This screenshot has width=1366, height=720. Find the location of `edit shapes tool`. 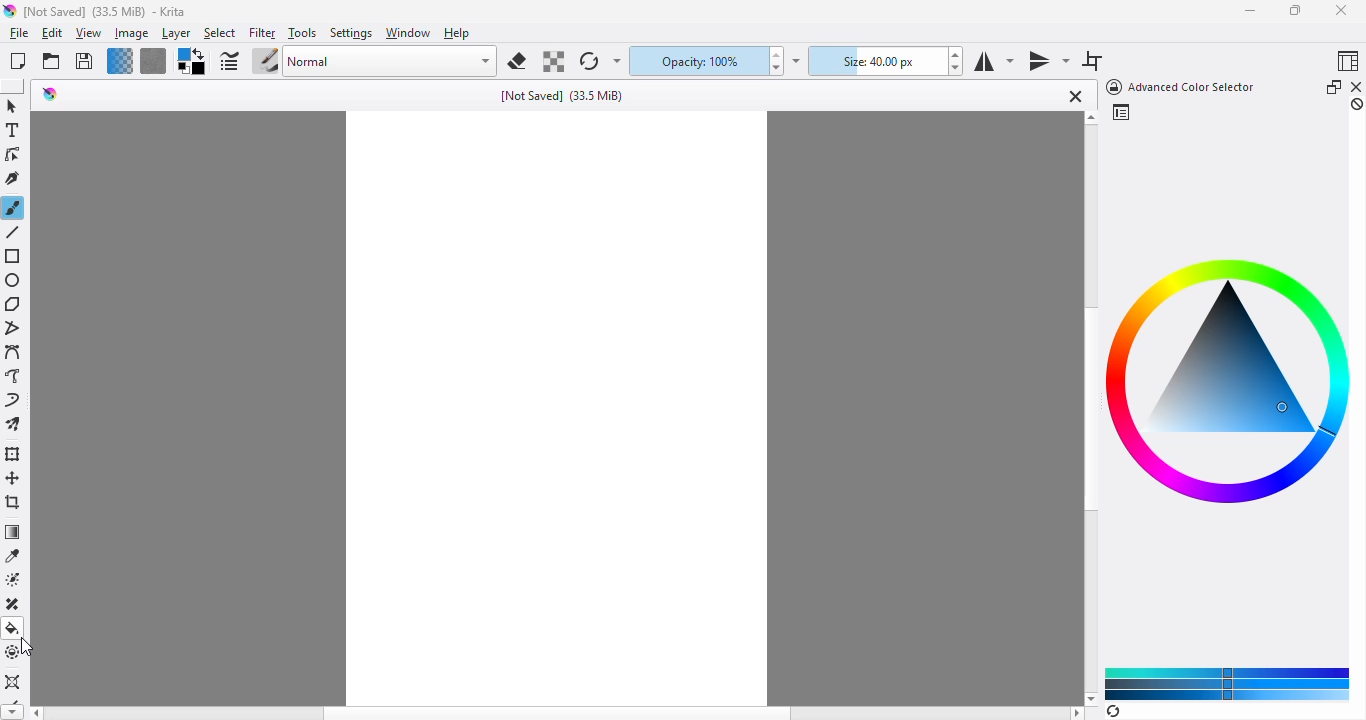

edit shapes tool is located at coordinates (13, 154).